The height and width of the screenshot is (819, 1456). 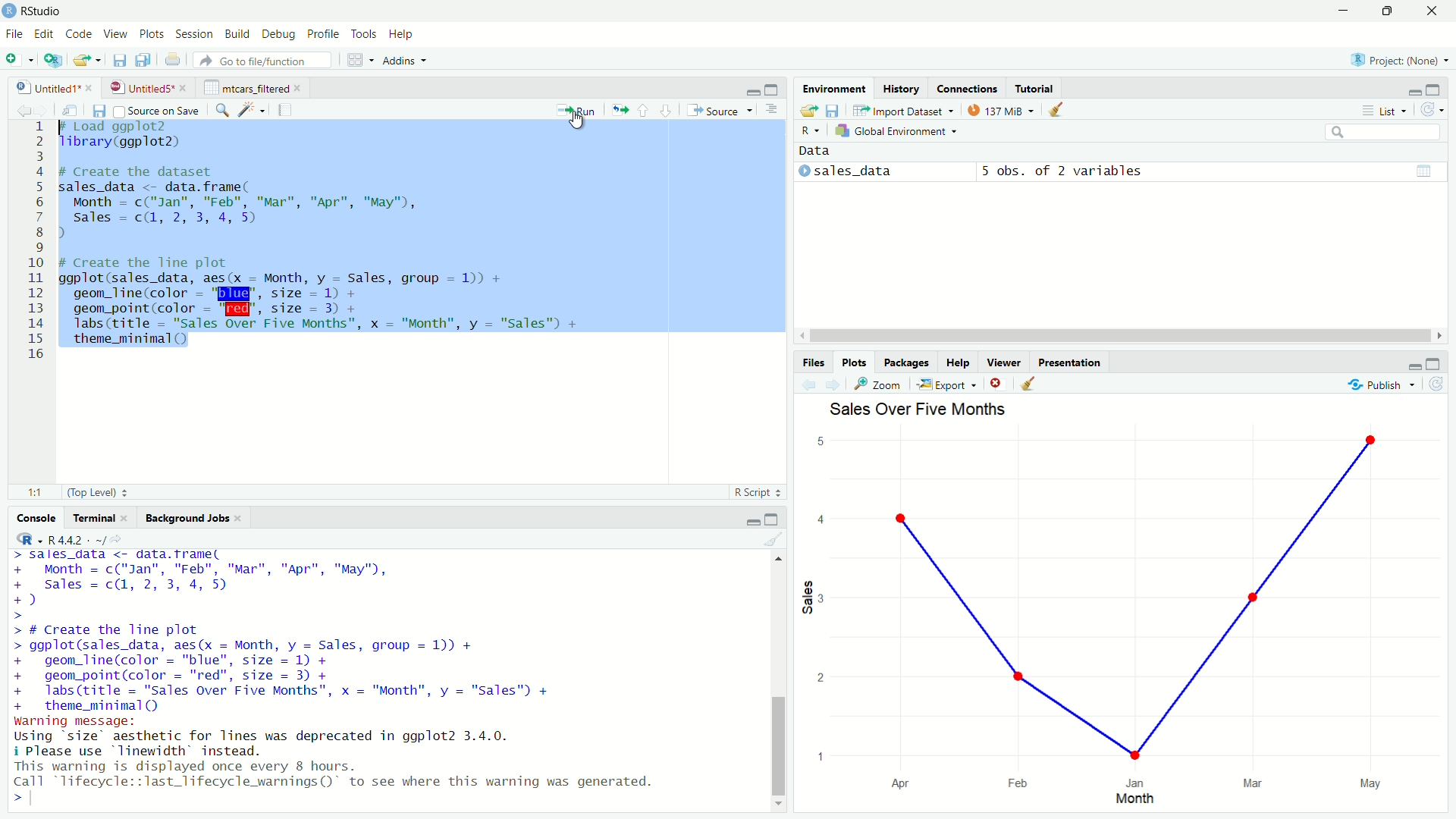 What do you see at coordinates (325, 34) in the screenshot?
I see `profile` at bounding box center [325, 34].